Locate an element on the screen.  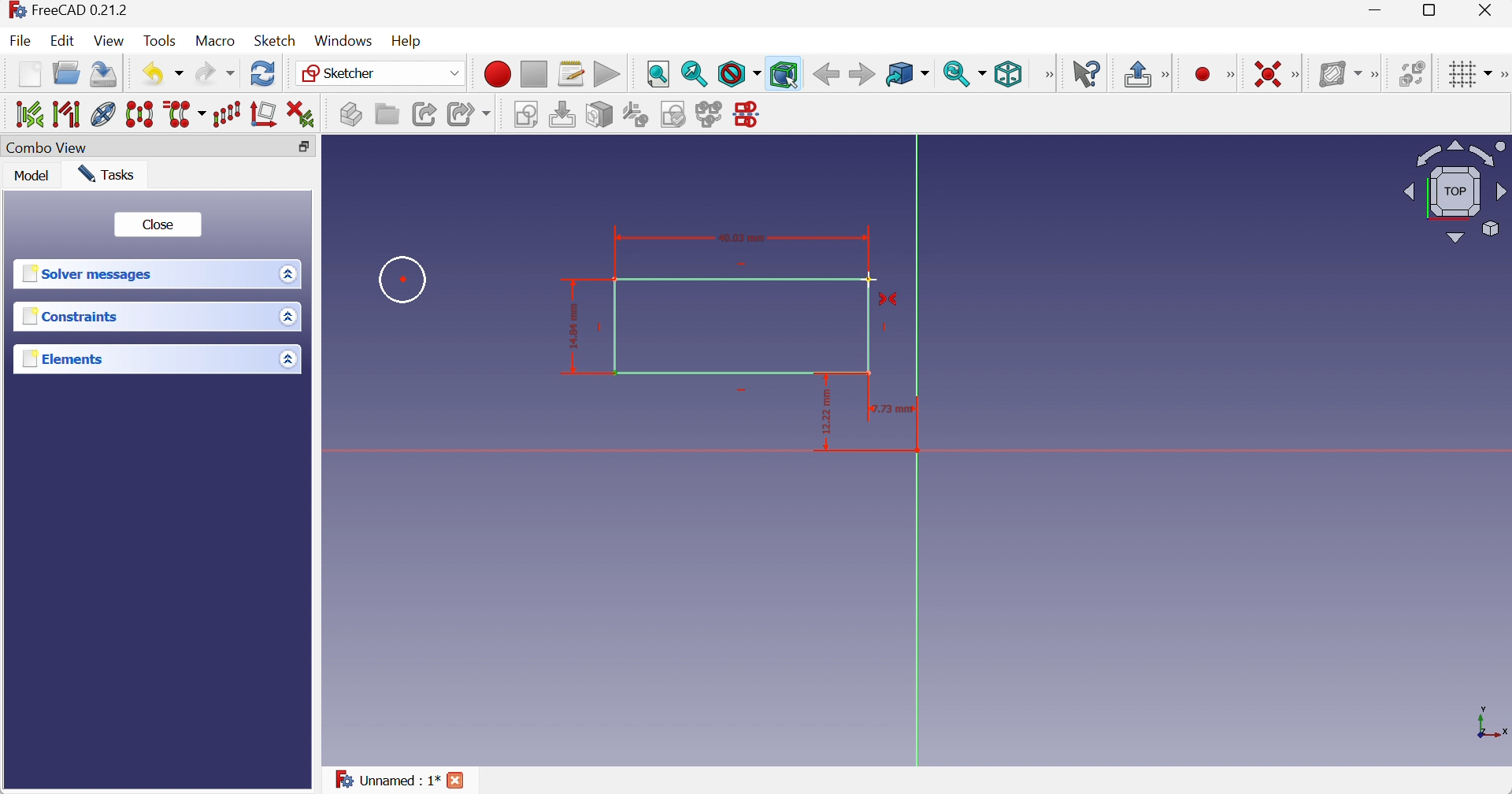
Forward is located at coordinates (862, 75).